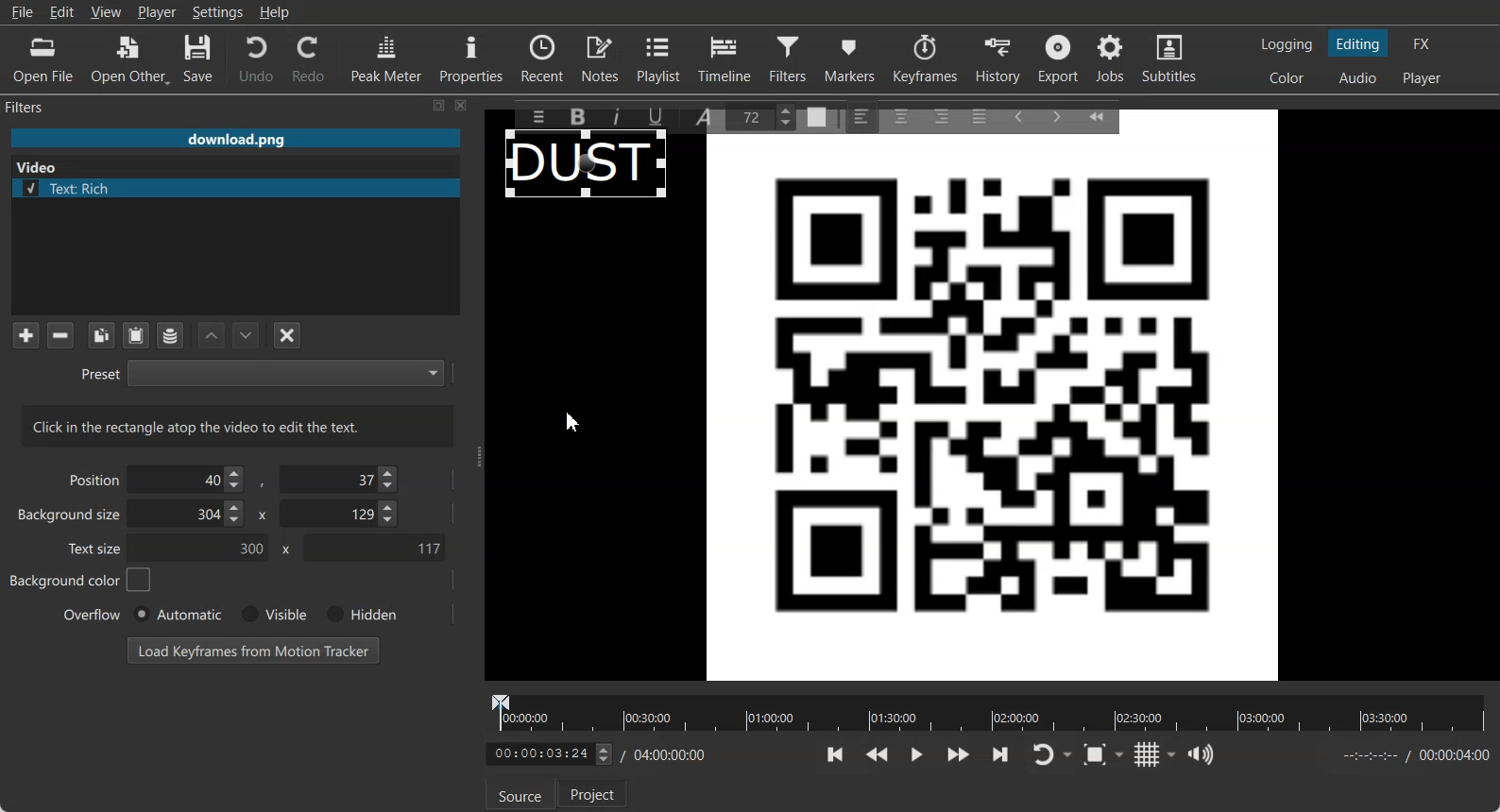  What do you see at coordinates (96, 548) in the screenshot?
I see `Text size` at bounding box center [96, 548].